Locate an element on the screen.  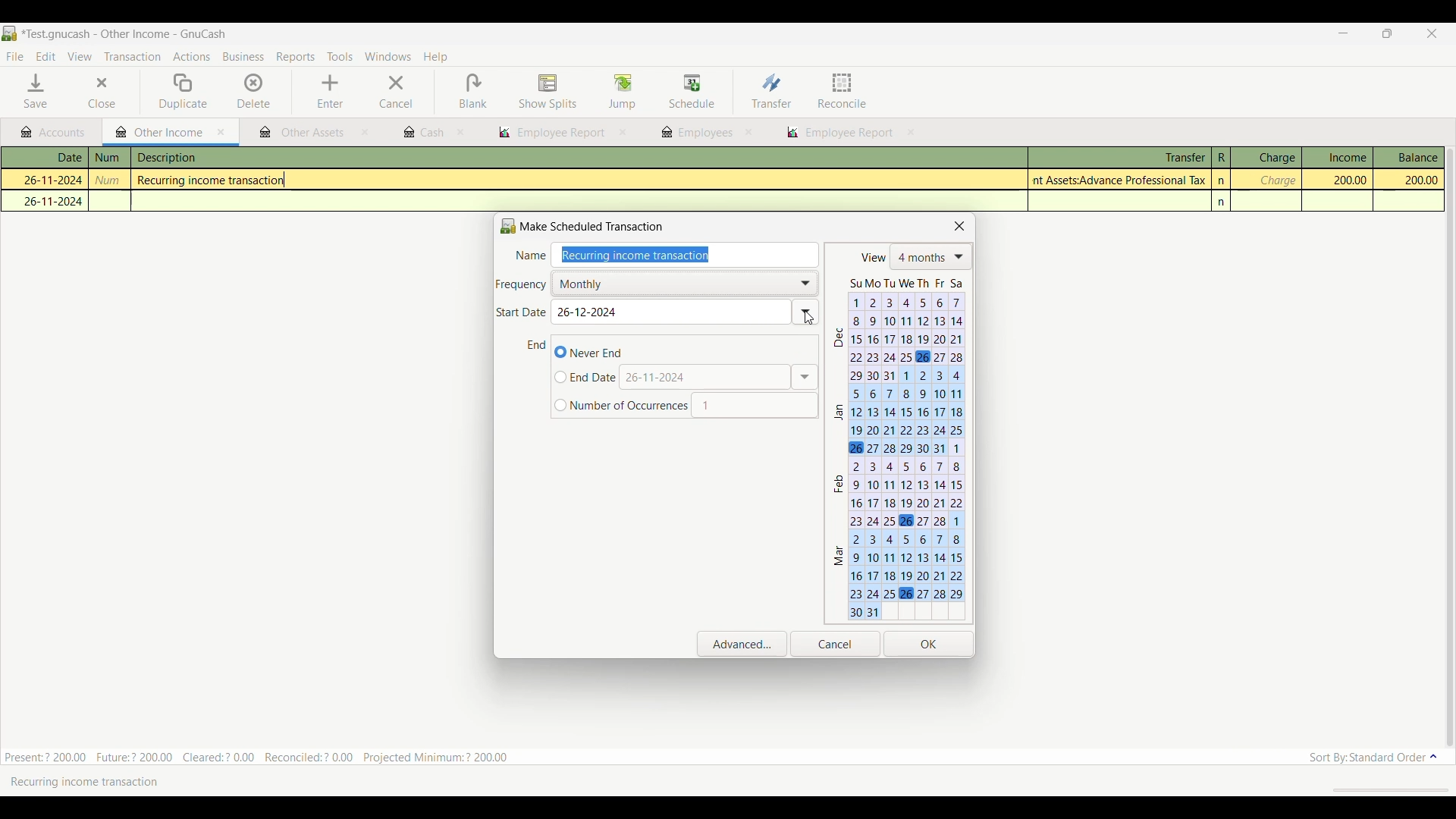
Charge column is located at coordinates (1266, 158).